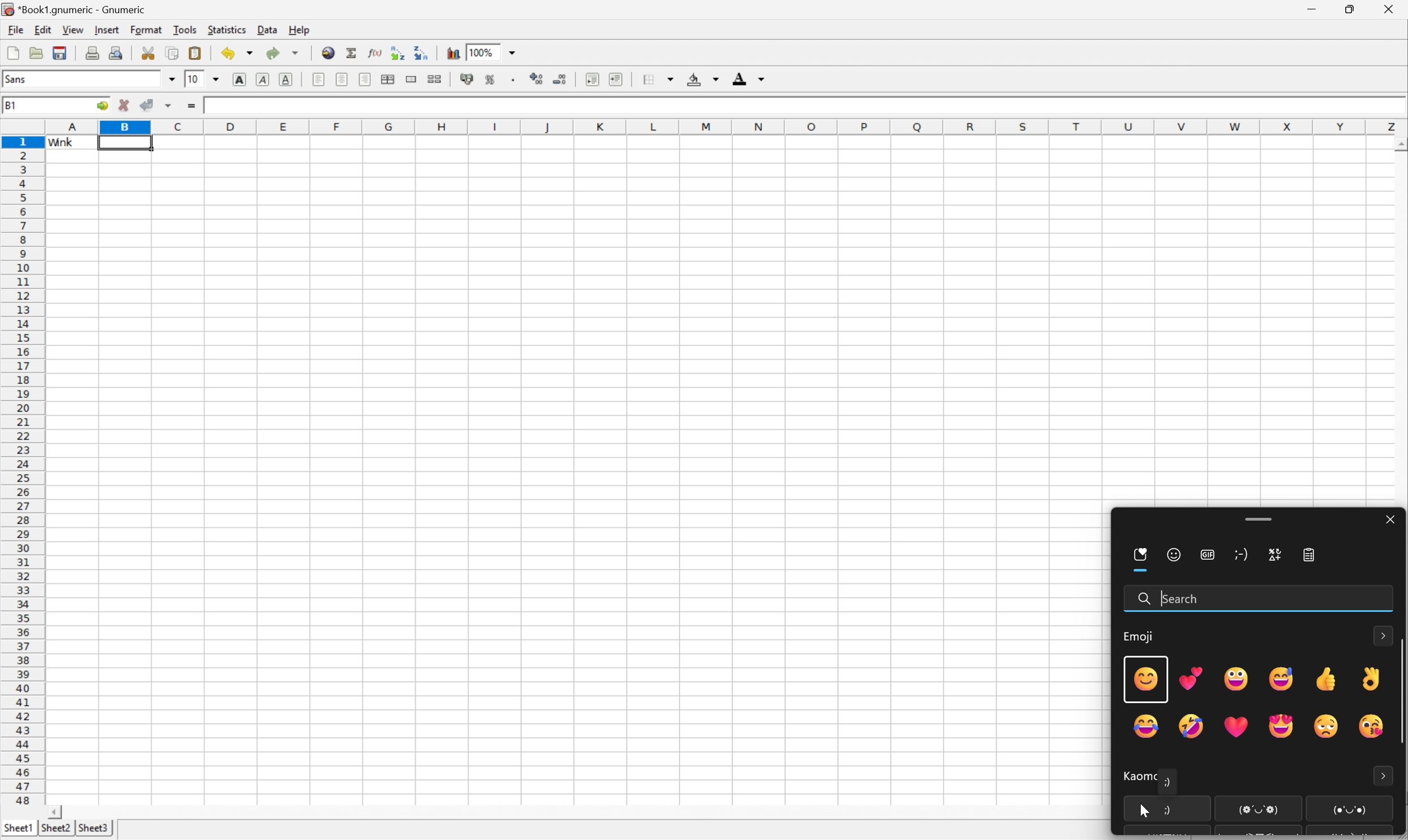 Image resolution: width=1408 pixels, height=840 pixels. Describe the element at coordinates (1399, 144) in the screenshot. I see `scroll up` at that location.